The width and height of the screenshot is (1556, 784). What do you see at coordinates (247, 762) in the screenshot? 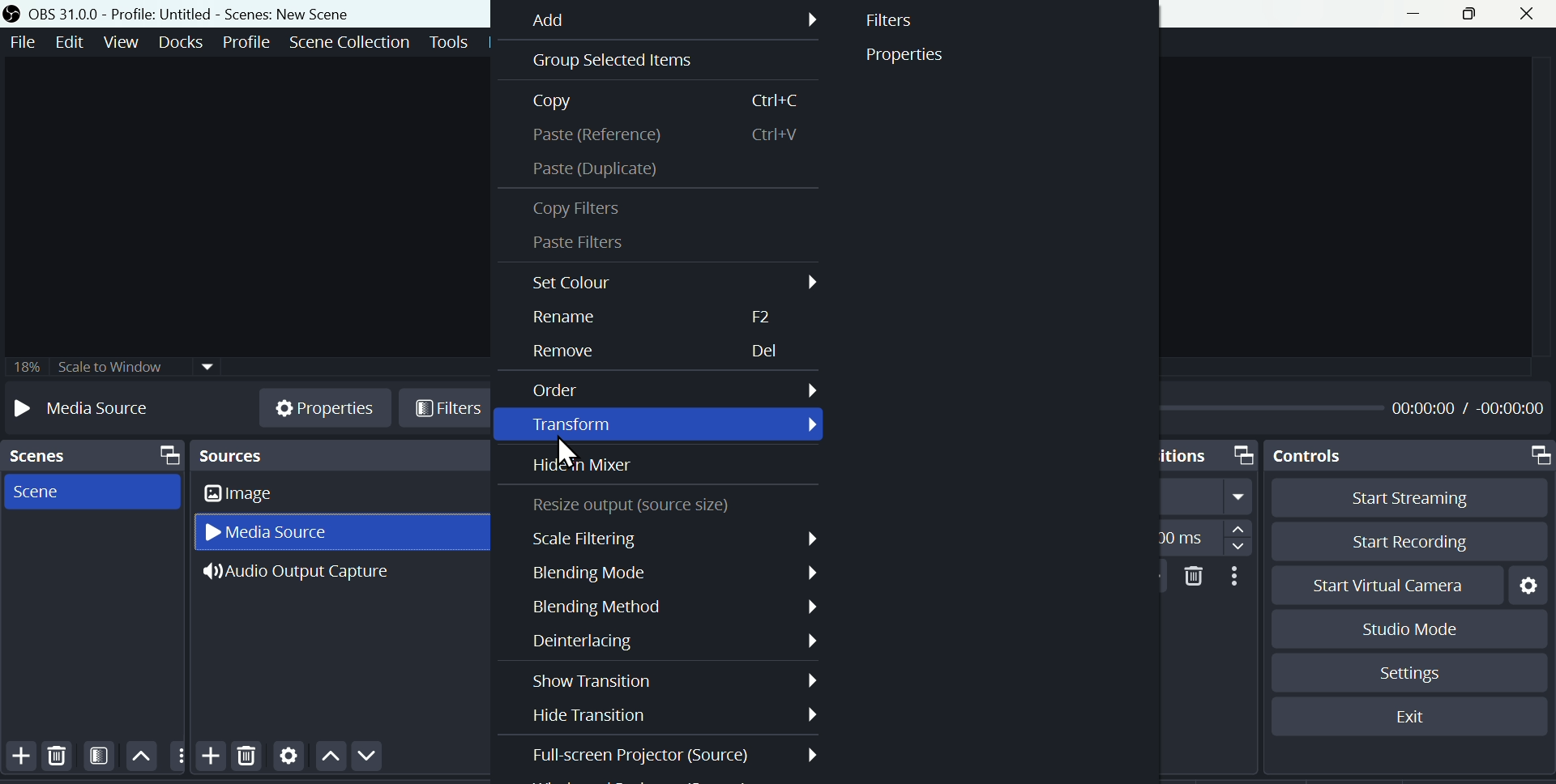
I see `Delete` at bounding box center [247, 762].